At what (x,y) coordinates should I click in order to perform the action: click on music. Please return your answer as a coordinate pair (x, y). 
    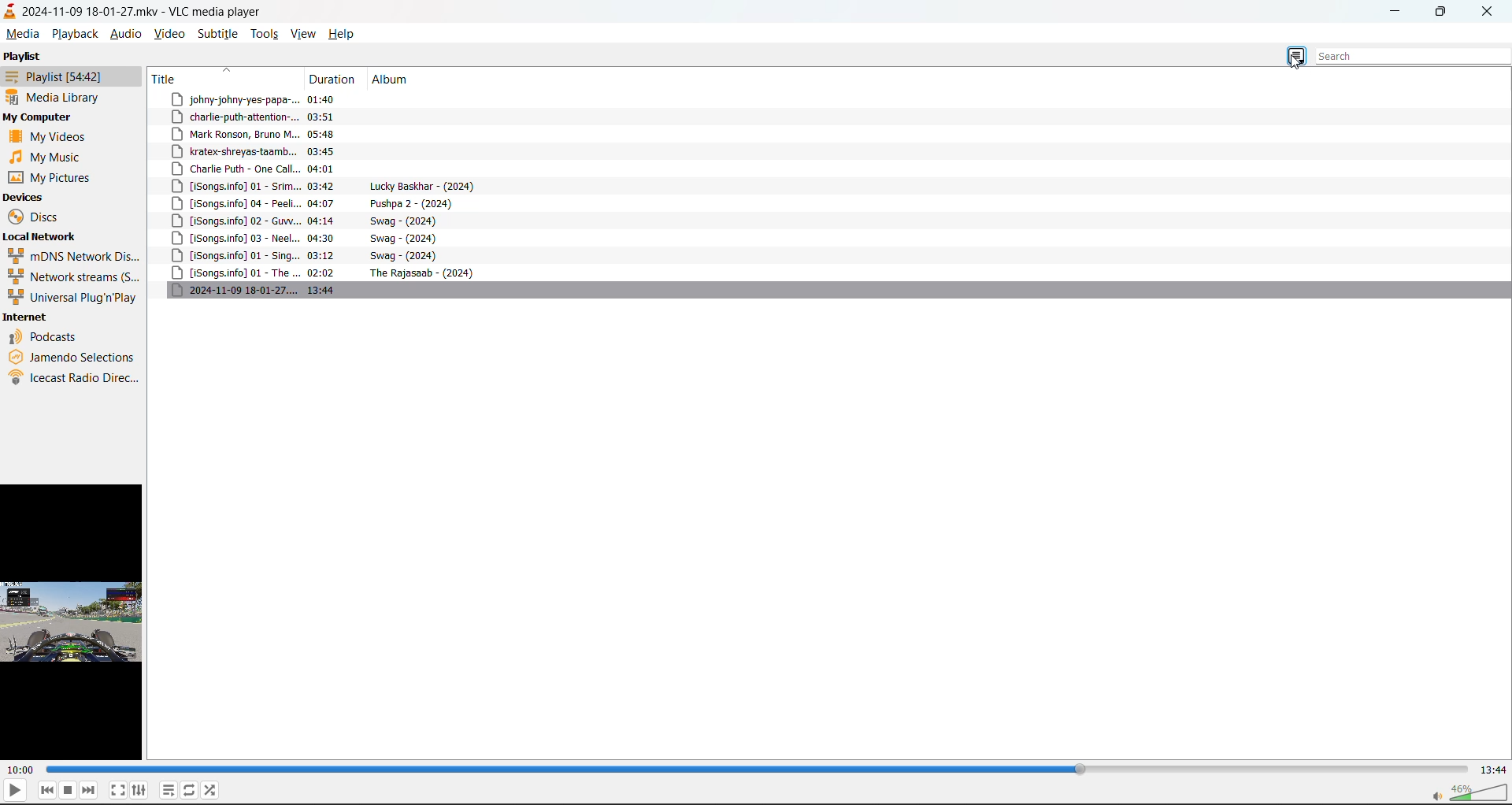
    Looking at the image, I should click on (46, 158).